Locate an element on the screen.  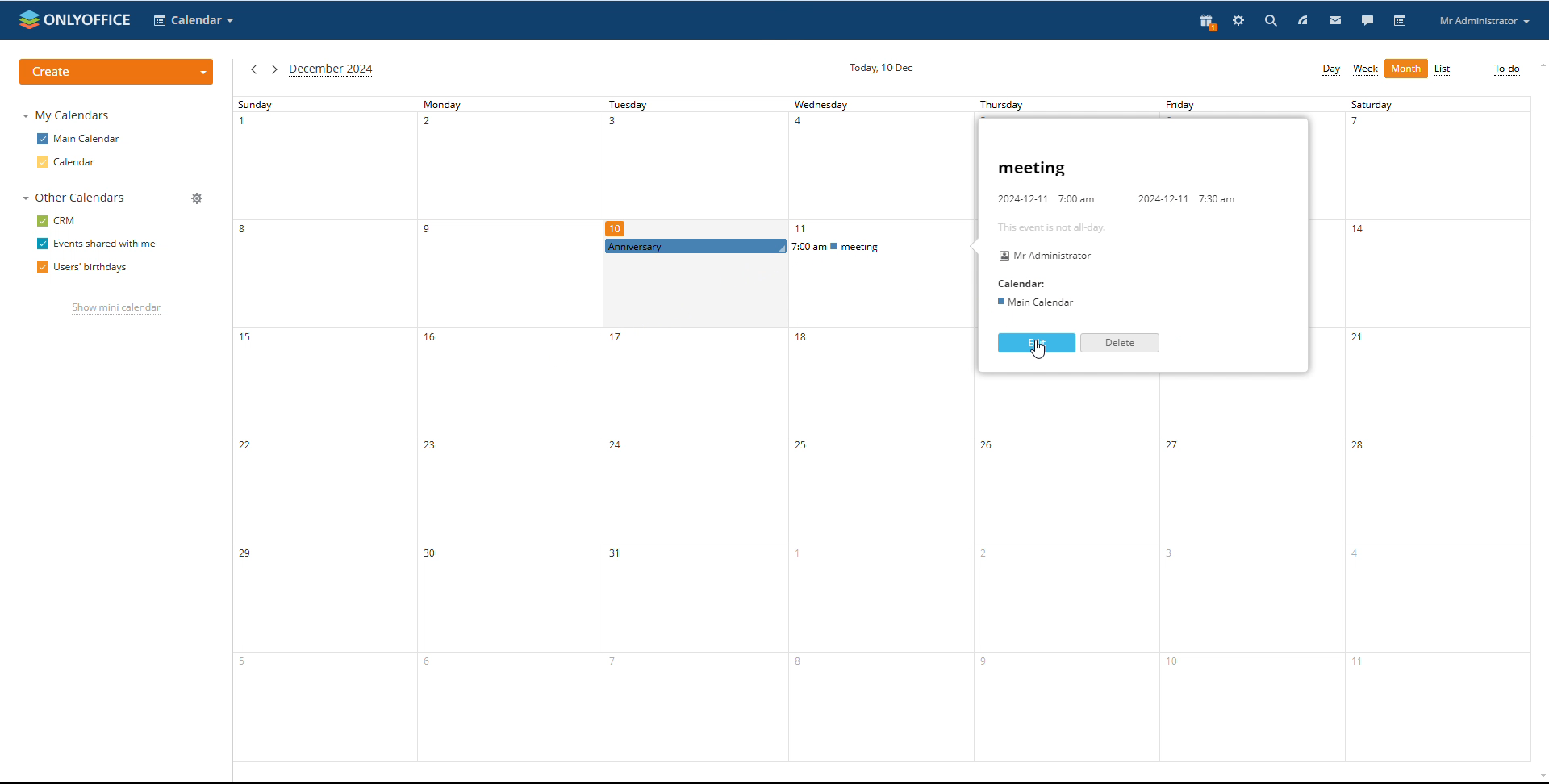
talk is located at coordinates (1367, 21).